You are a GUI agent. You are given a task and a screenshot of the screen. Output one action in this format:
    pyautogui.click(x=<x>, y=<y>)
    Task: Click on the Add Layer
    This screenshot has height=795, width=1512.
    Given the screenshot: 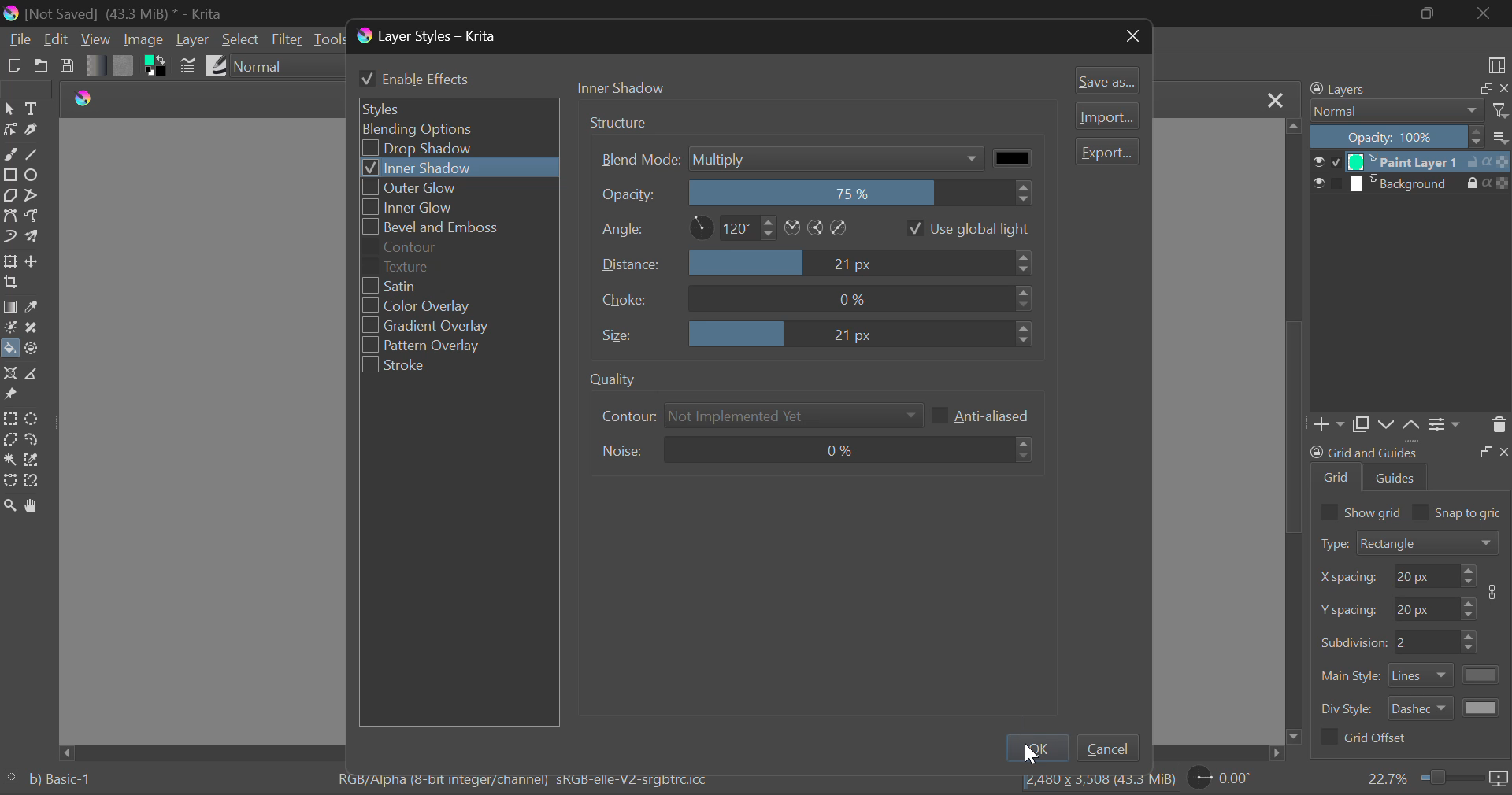 What is the action you would take?
    pyautogui.click(x=1331, y=426)
    